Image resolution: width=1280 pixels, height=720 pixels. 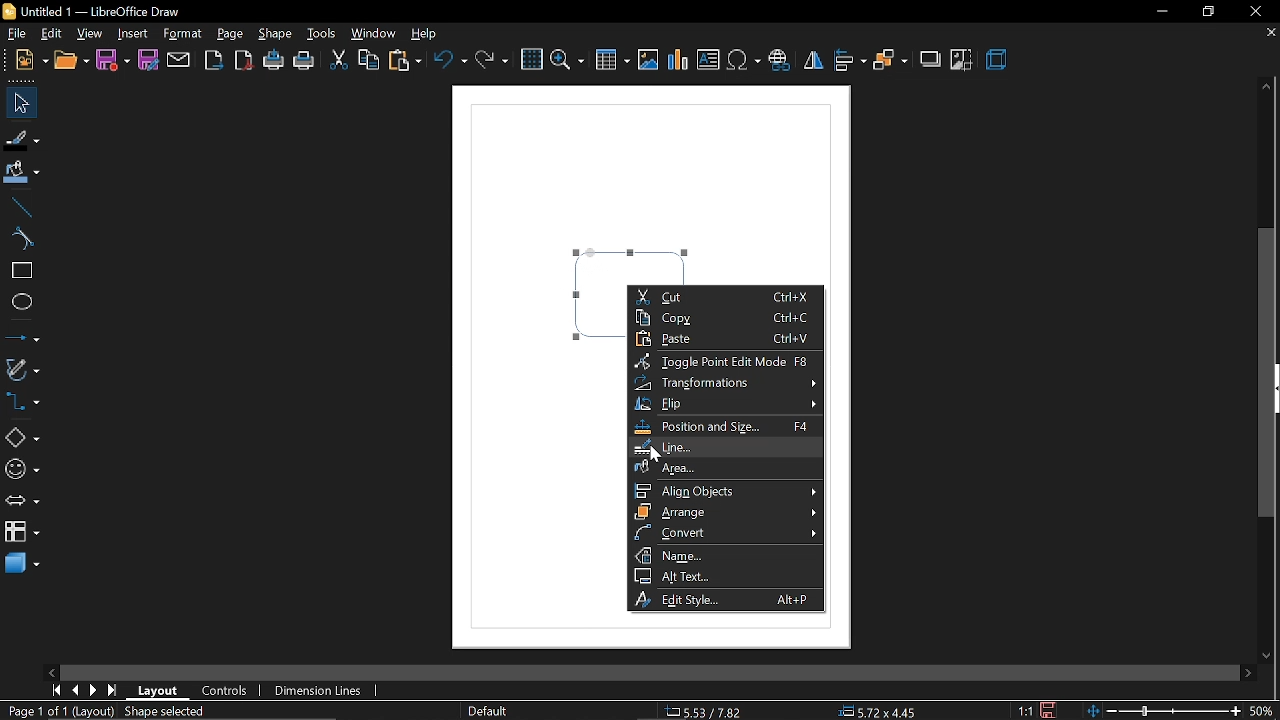 I want to click on zoom, so click(x=566, y=61).